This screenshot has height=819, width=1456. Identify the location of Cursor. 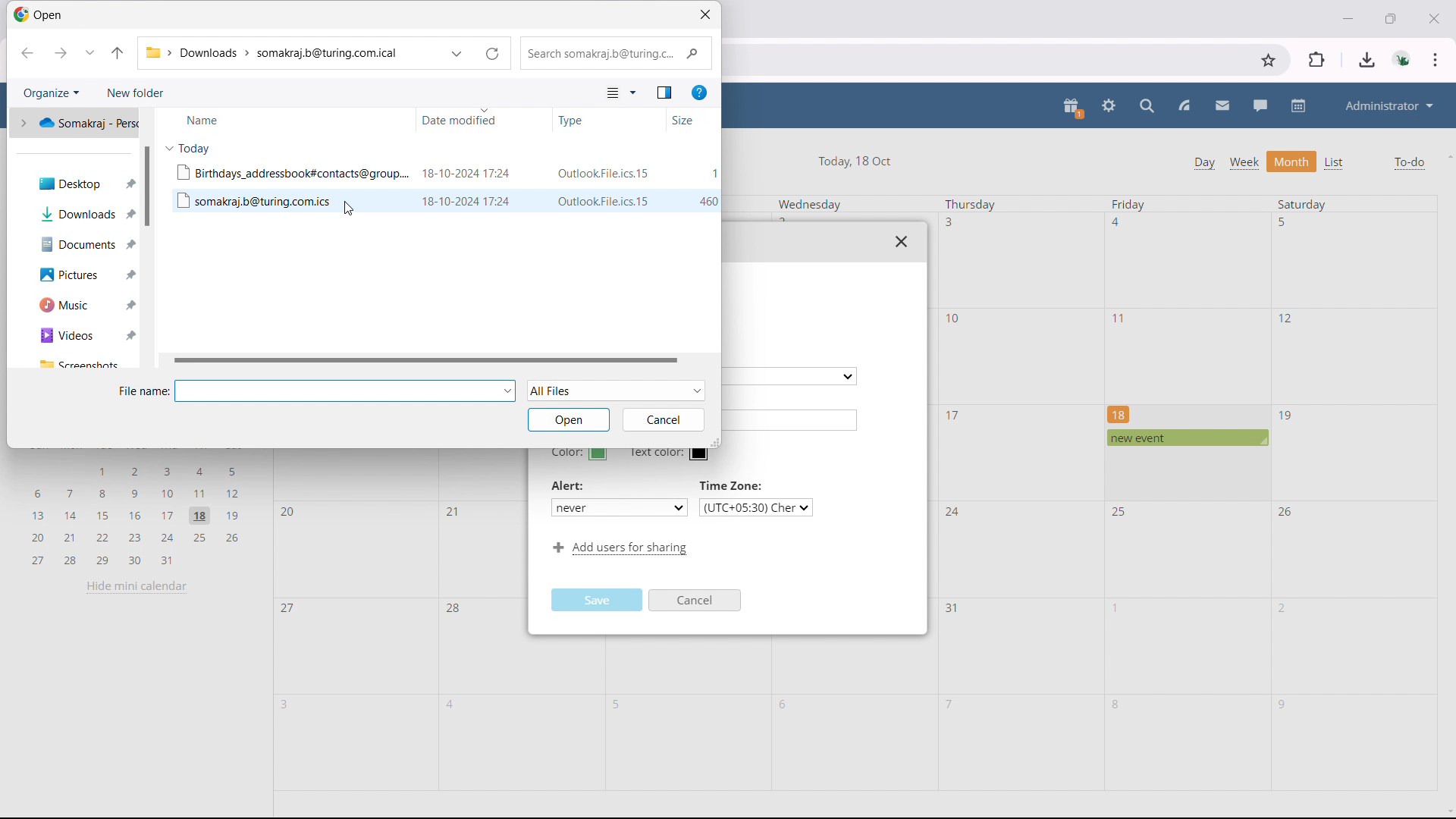
(349, 209).